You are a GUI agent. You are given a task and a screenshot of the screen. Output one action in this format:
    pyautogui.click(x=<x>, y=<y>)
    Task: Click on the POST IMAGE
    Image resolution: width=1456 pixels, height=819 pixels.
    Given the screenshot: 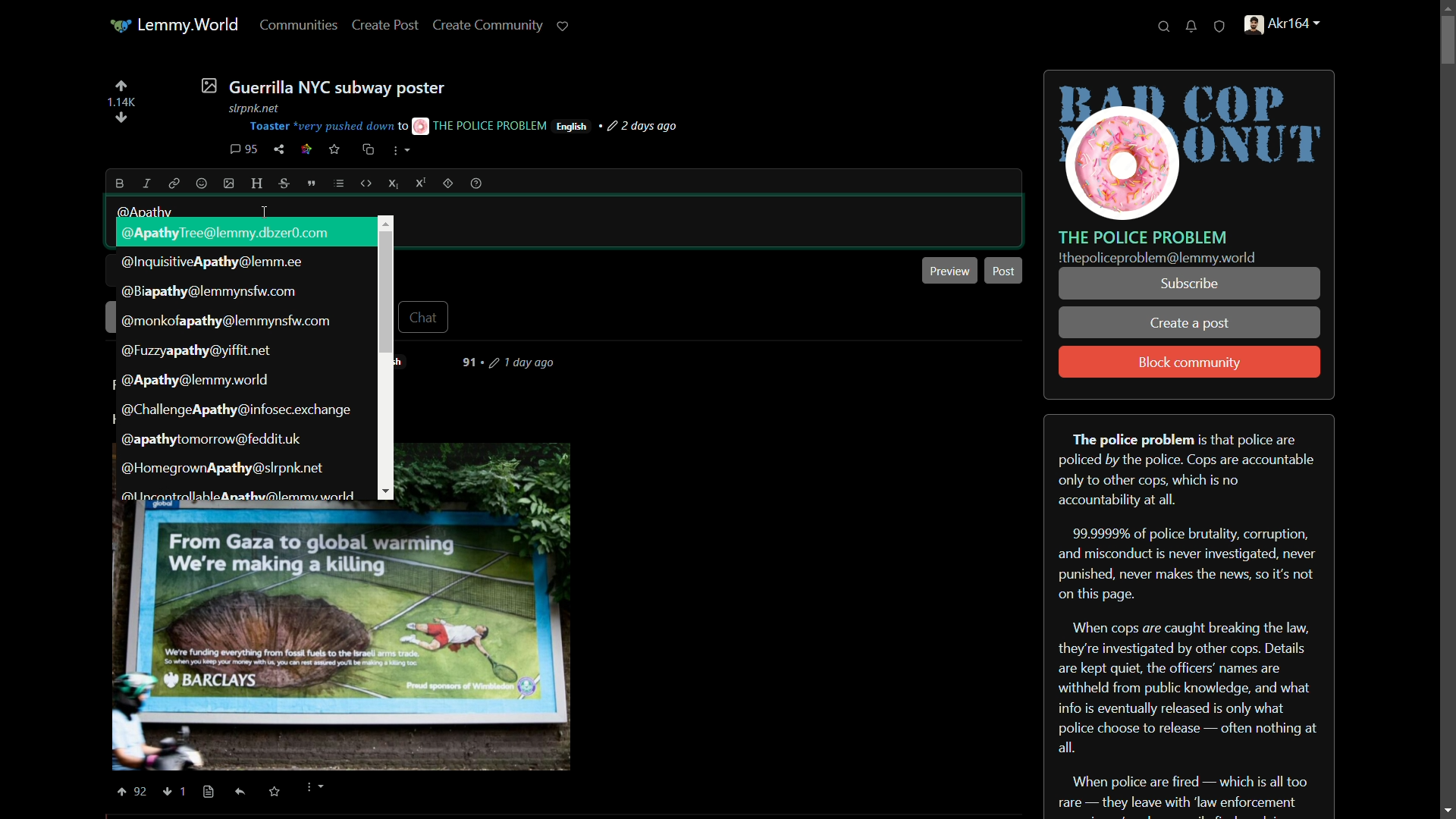 What is the action you would take?
    pyautogui.click(x=339, y=637)
    